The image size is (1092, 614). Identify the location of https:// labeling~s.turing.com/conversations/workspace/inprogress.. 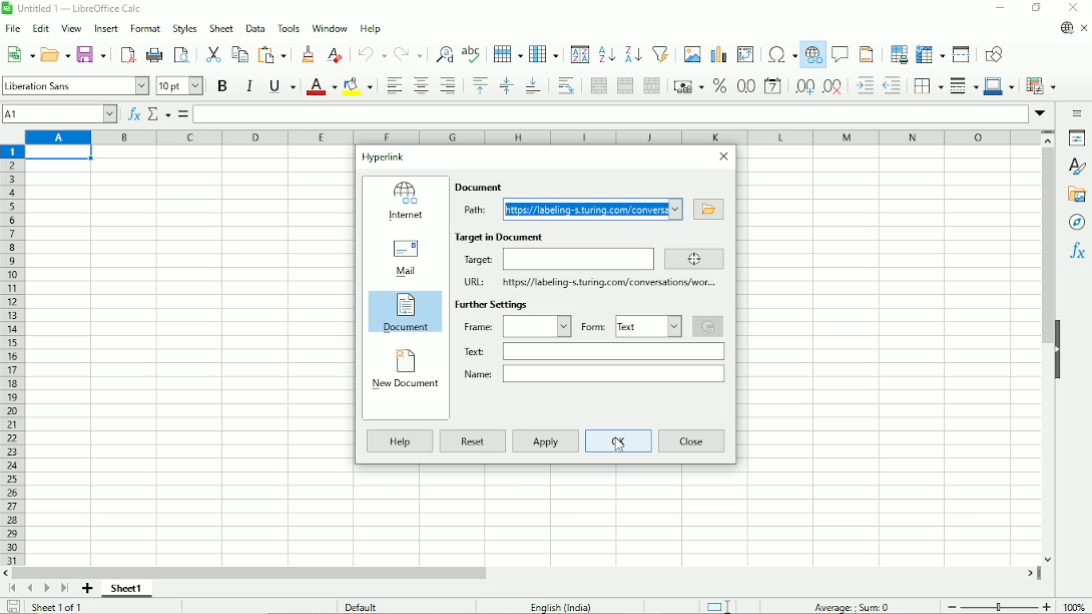
(608, 283).